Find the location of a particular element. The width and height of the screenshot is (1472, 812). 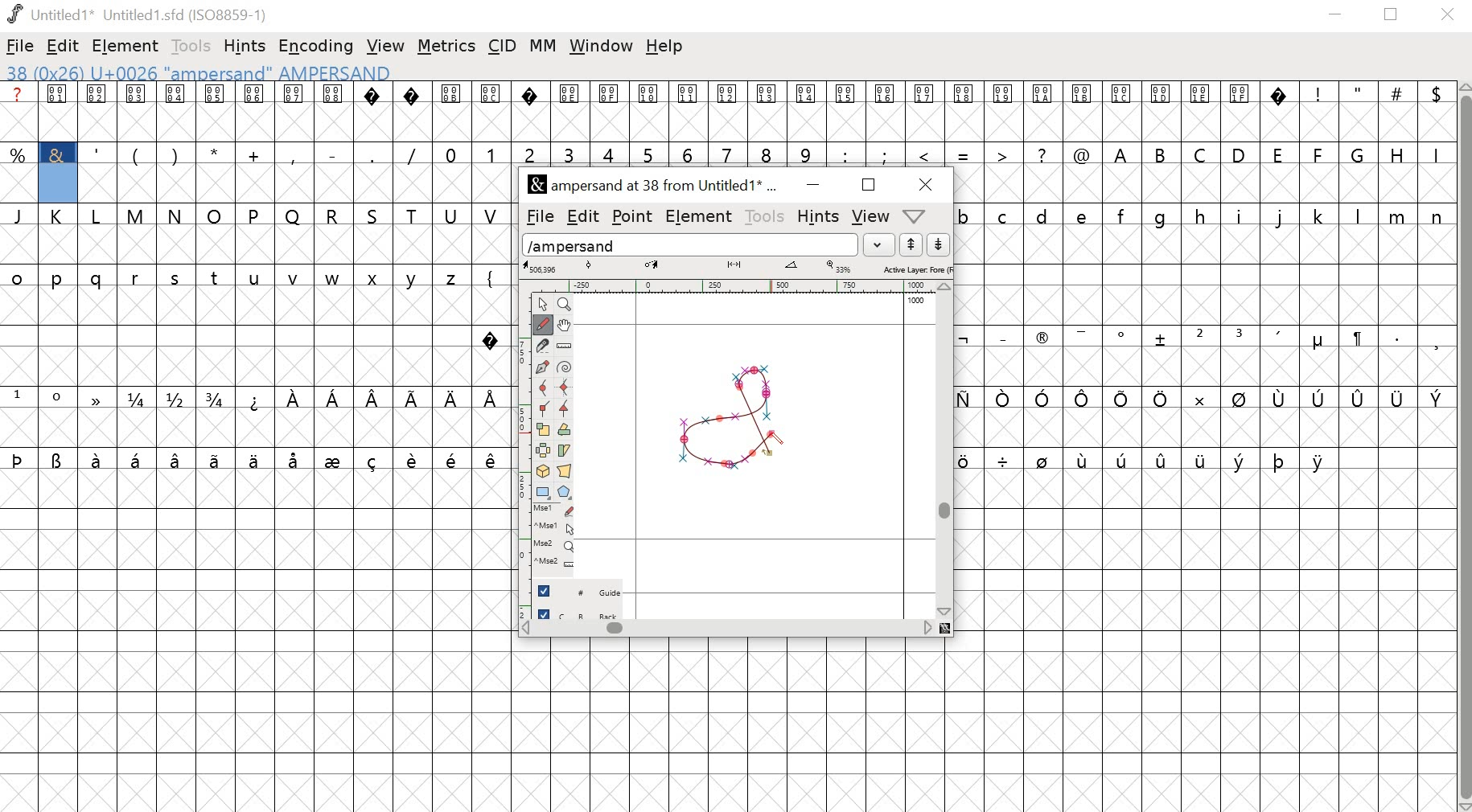

/ is located at coordinates (412, 154).